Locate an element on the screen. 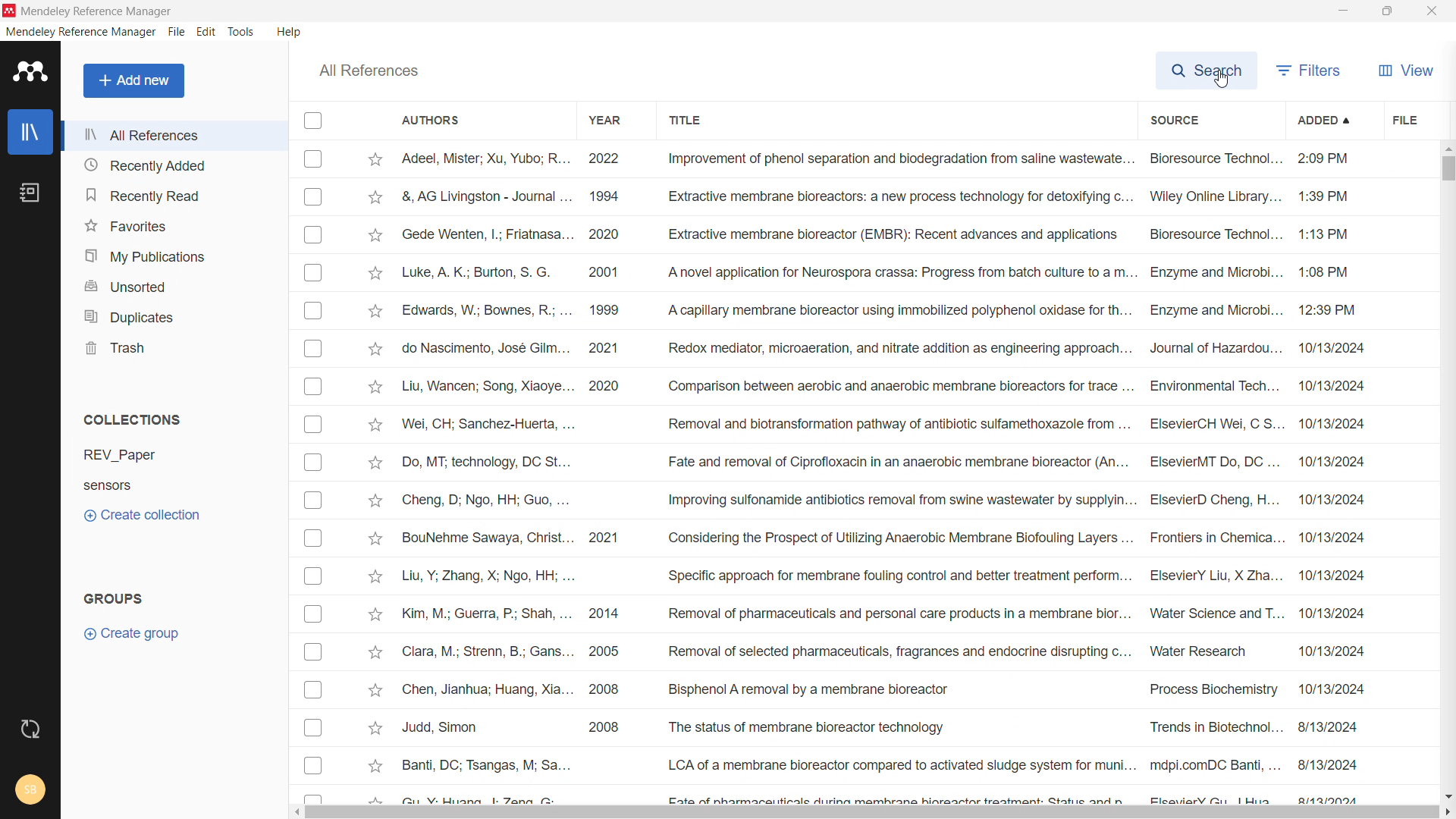 The width and height of the screenshot is (1456, 819). Checkbox is located at coordinates (314, 730).